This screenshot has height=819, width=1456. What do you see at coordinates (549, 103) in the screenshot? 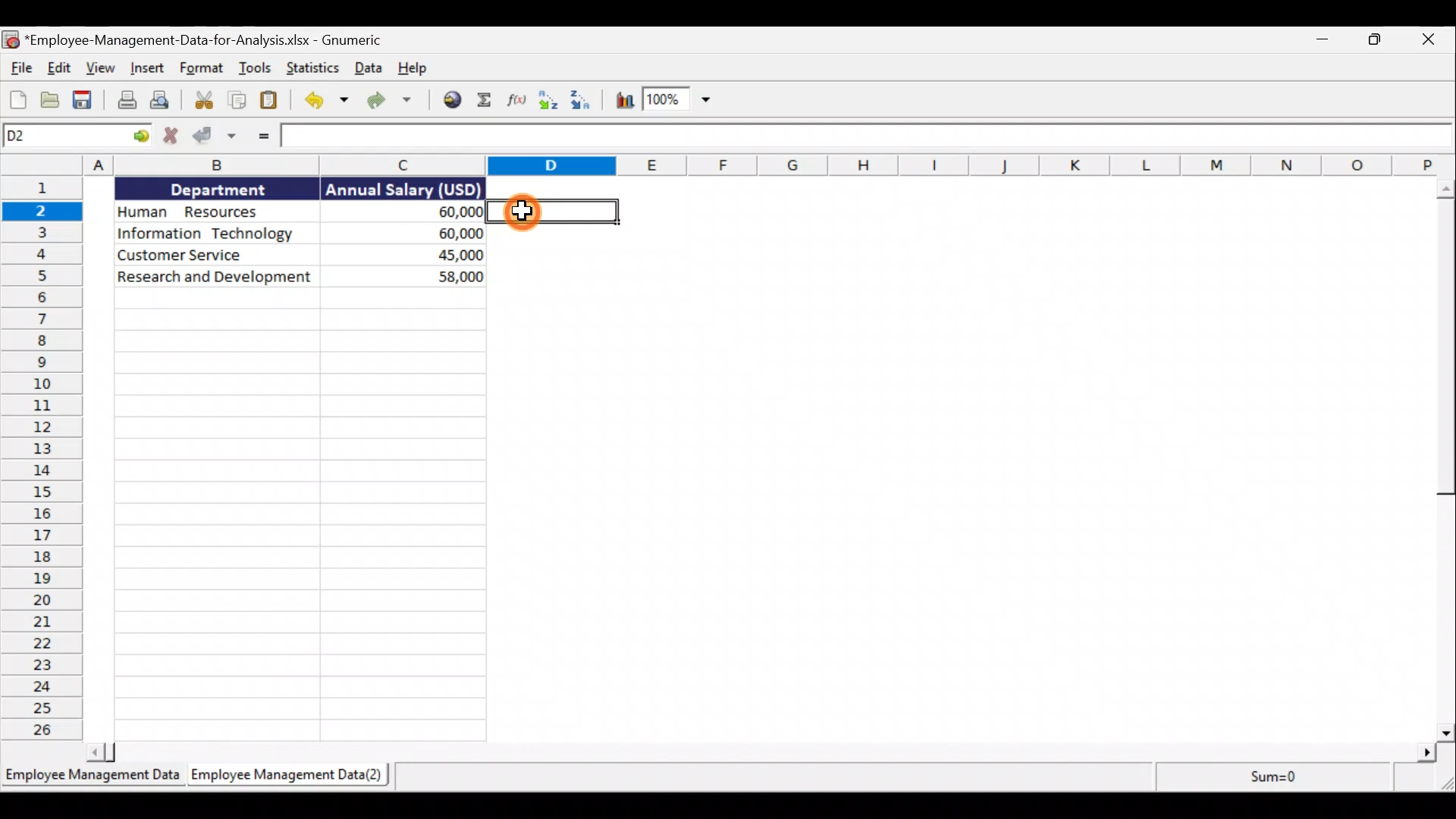
I see `Sort ascending` at bounding box center [549, 103].